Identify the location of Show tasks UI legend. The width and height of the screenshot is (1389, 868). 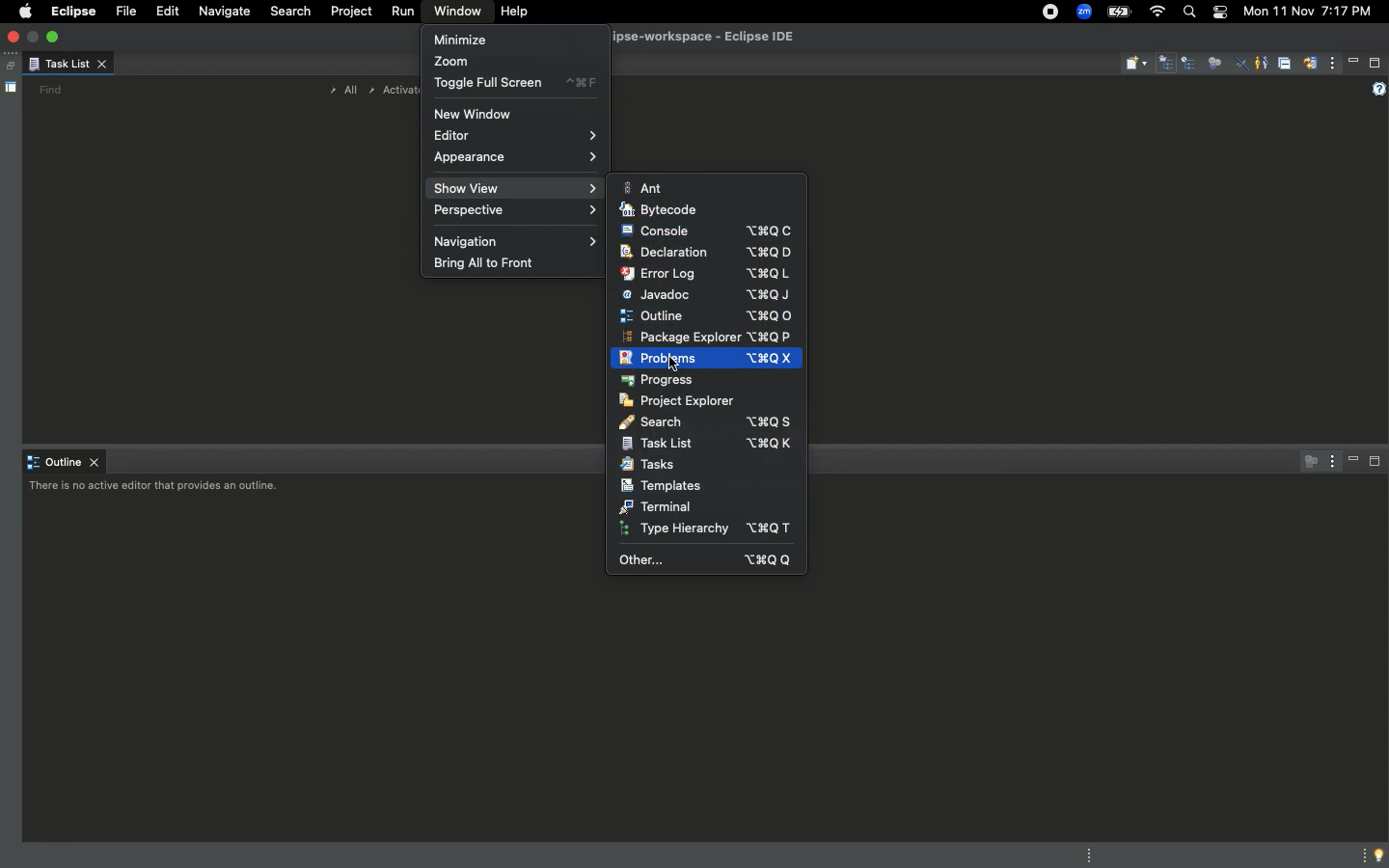
(1376, 90).